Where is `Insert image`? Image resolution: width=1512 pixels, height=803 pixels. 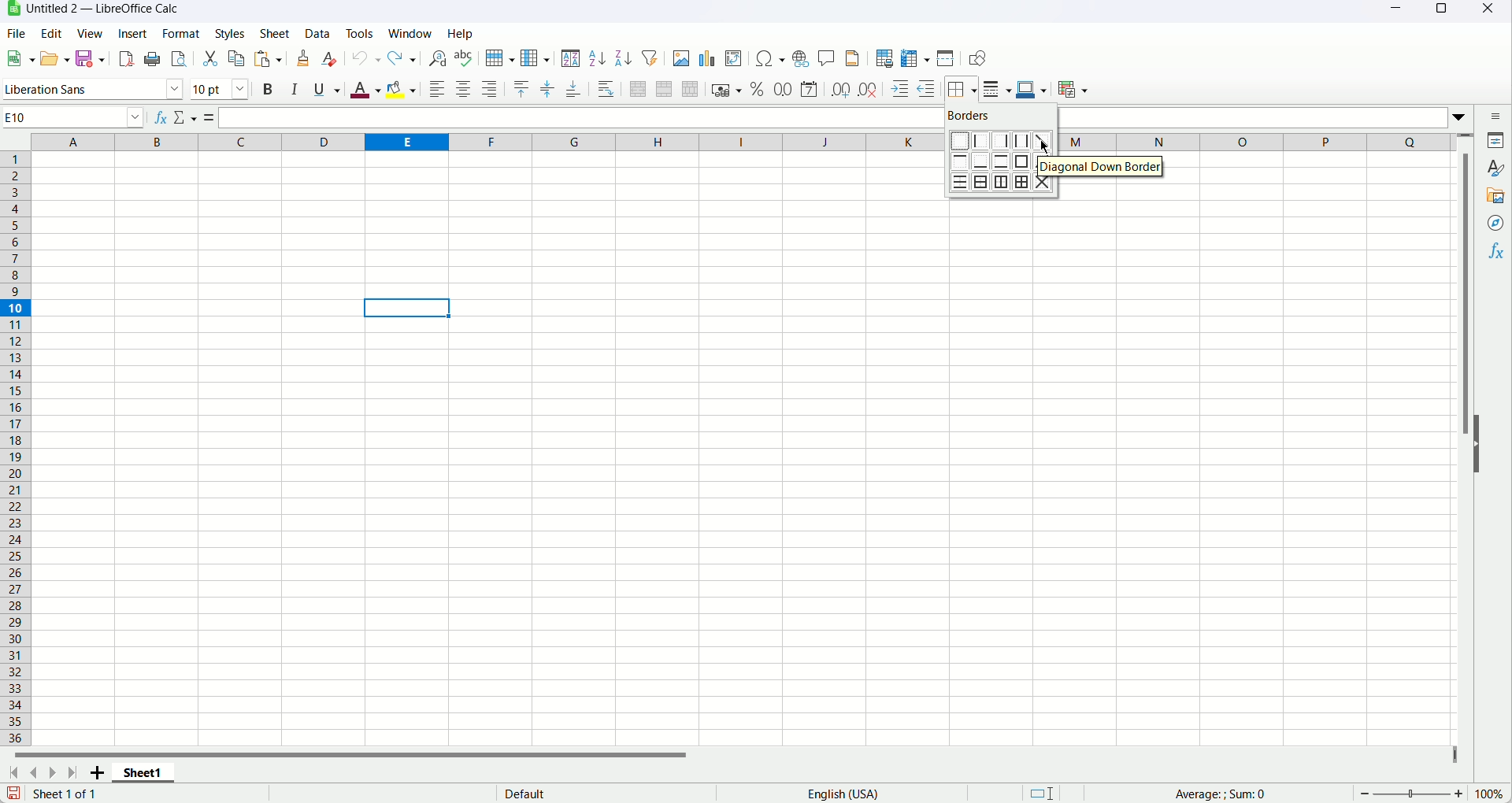
Insert image is located at coordinates (680, 57).